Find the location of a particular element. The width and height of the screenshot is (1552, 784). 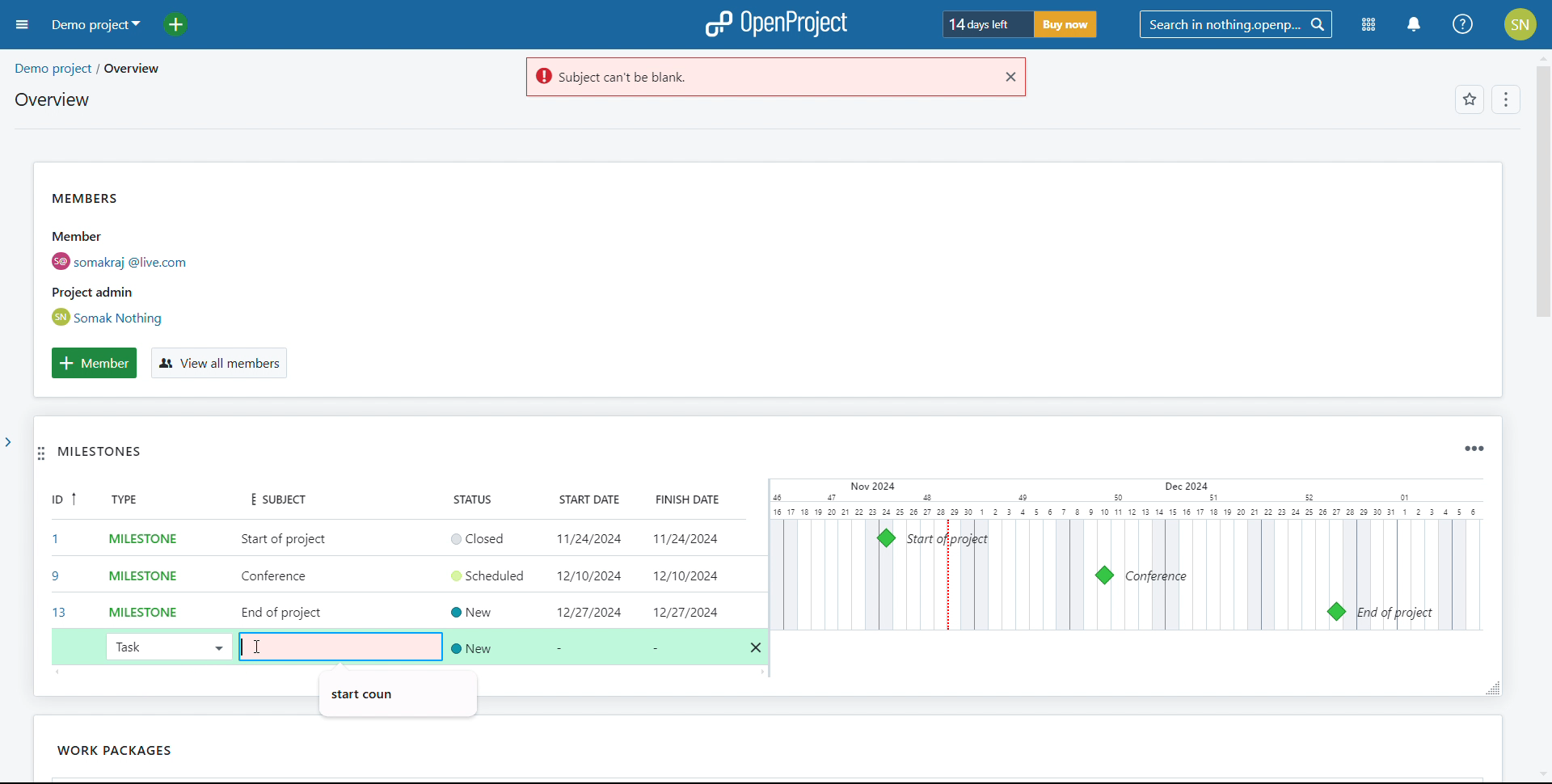

pop-up message is located at coordinates (366, 691).